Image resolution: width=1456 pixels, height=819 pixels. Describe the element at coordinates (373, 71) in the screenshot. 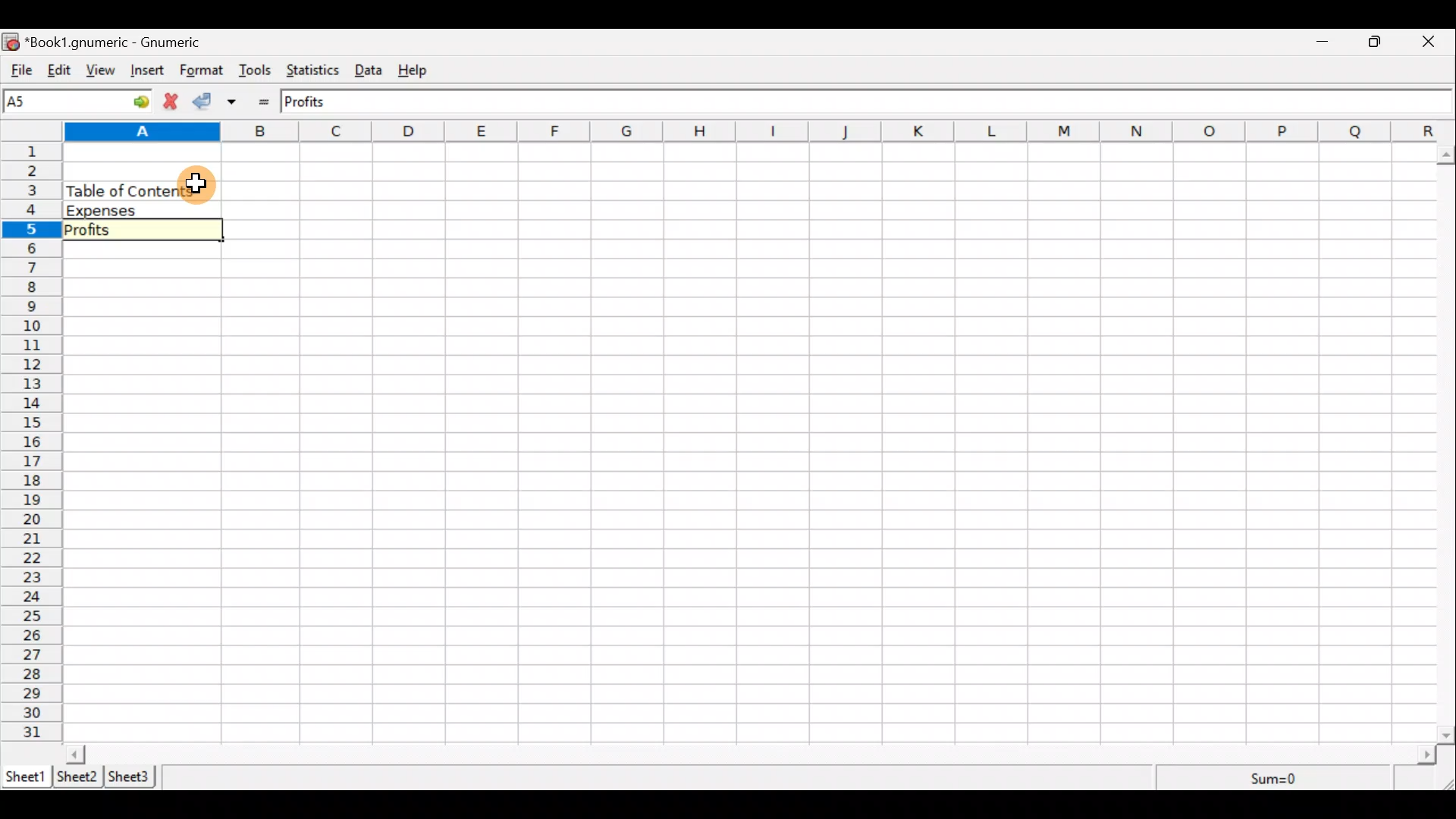

I see `Data` at that location.